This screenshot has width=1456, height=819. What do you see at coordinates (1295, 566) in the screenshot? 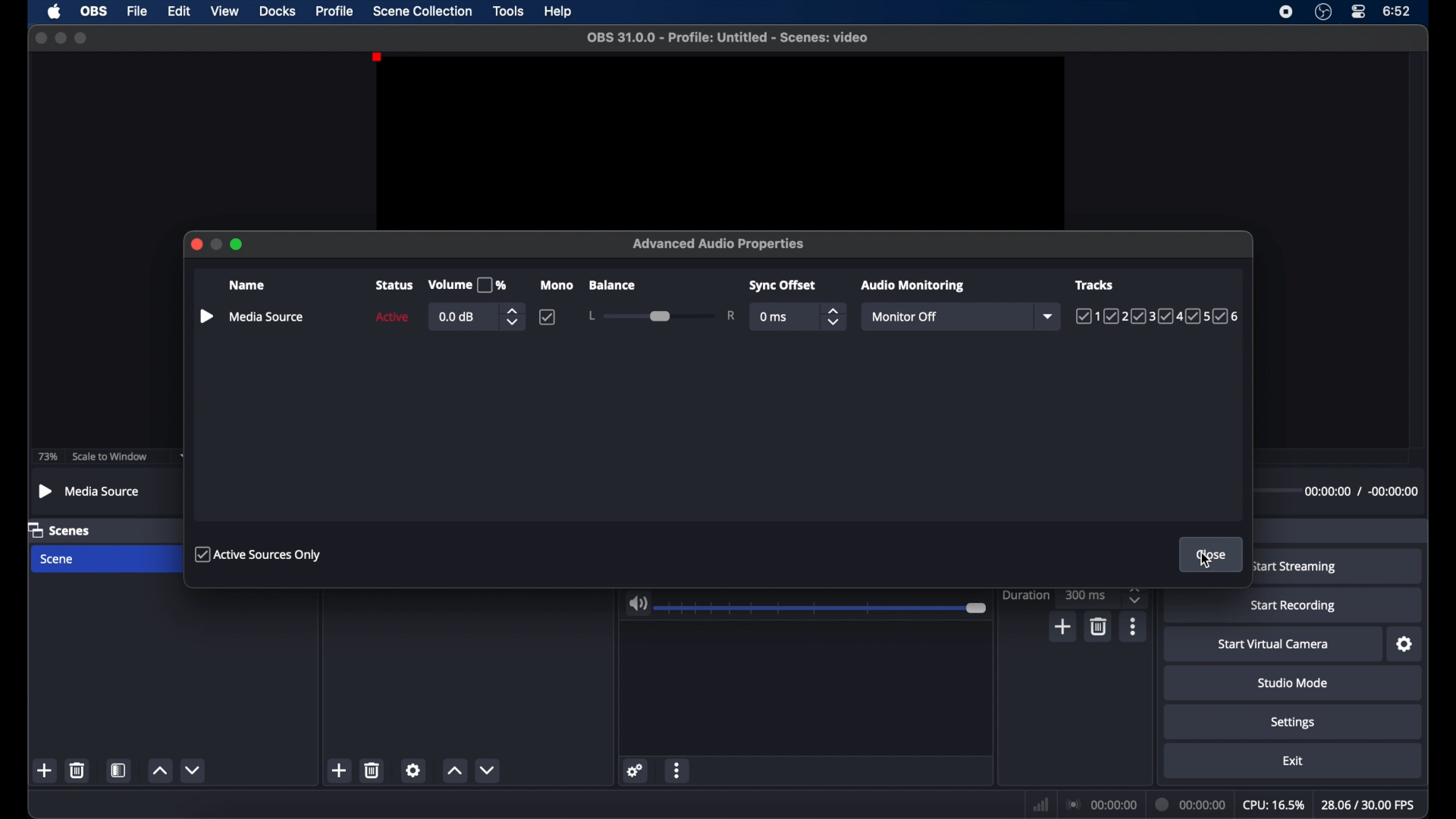
I see `start streaming` at bounding box center [1295, 566].